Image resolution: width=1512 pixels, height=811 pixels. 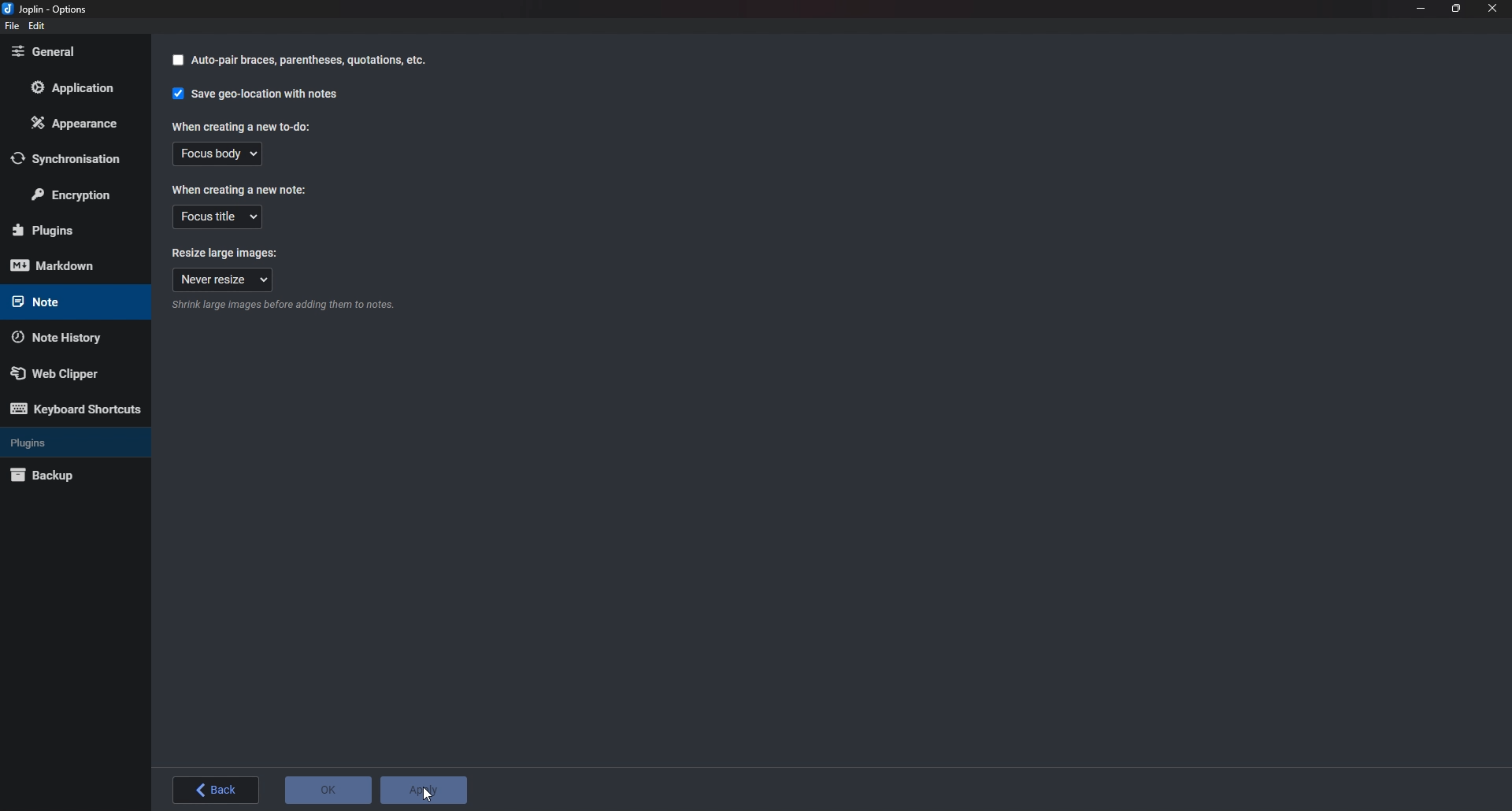 I want to click on Minimize, so click(x=1422, y=8).